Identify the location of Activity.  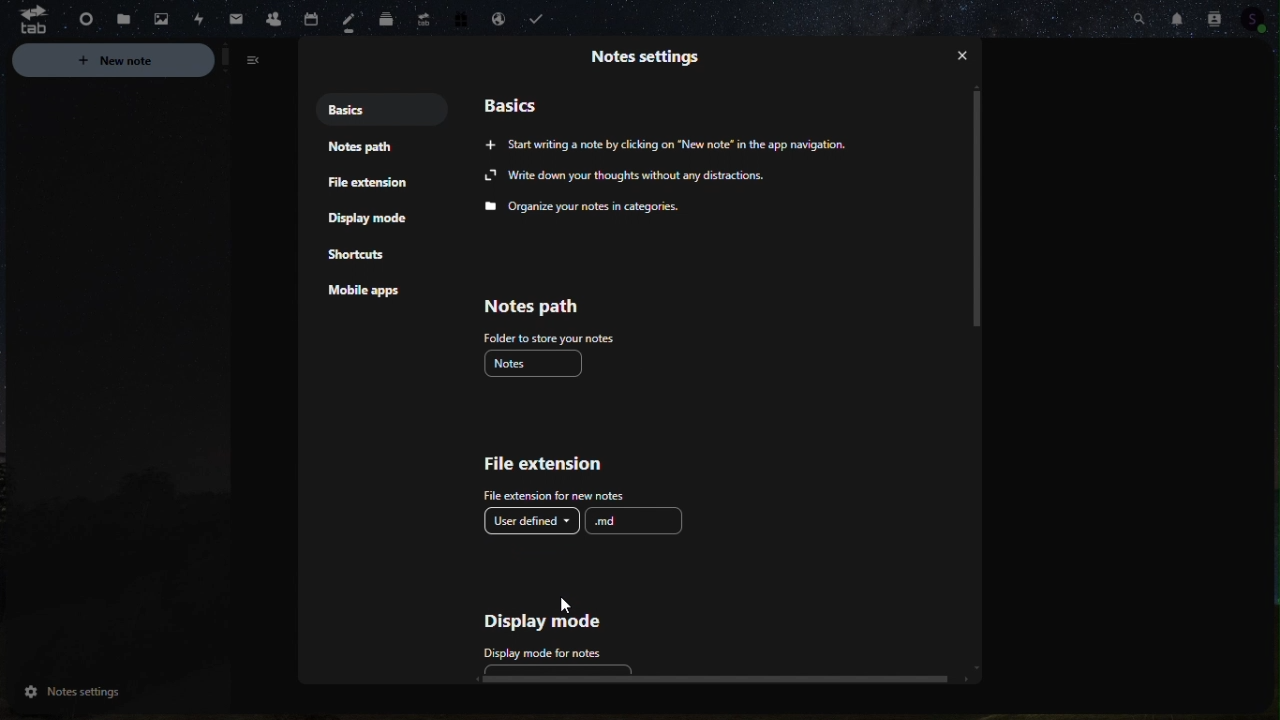
(199, 17).